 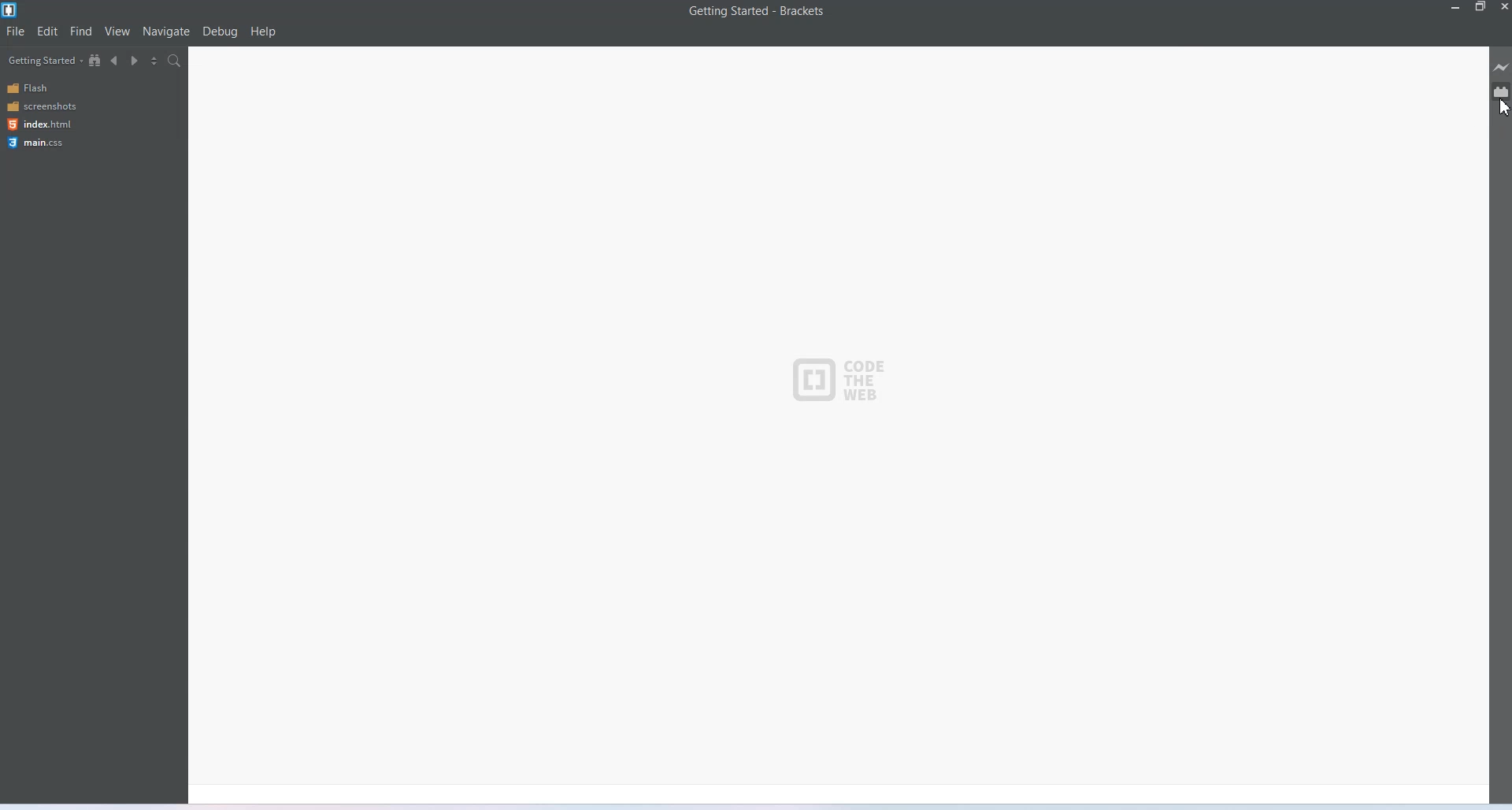 I want to click on Navigate, so click(x=166, y=32).